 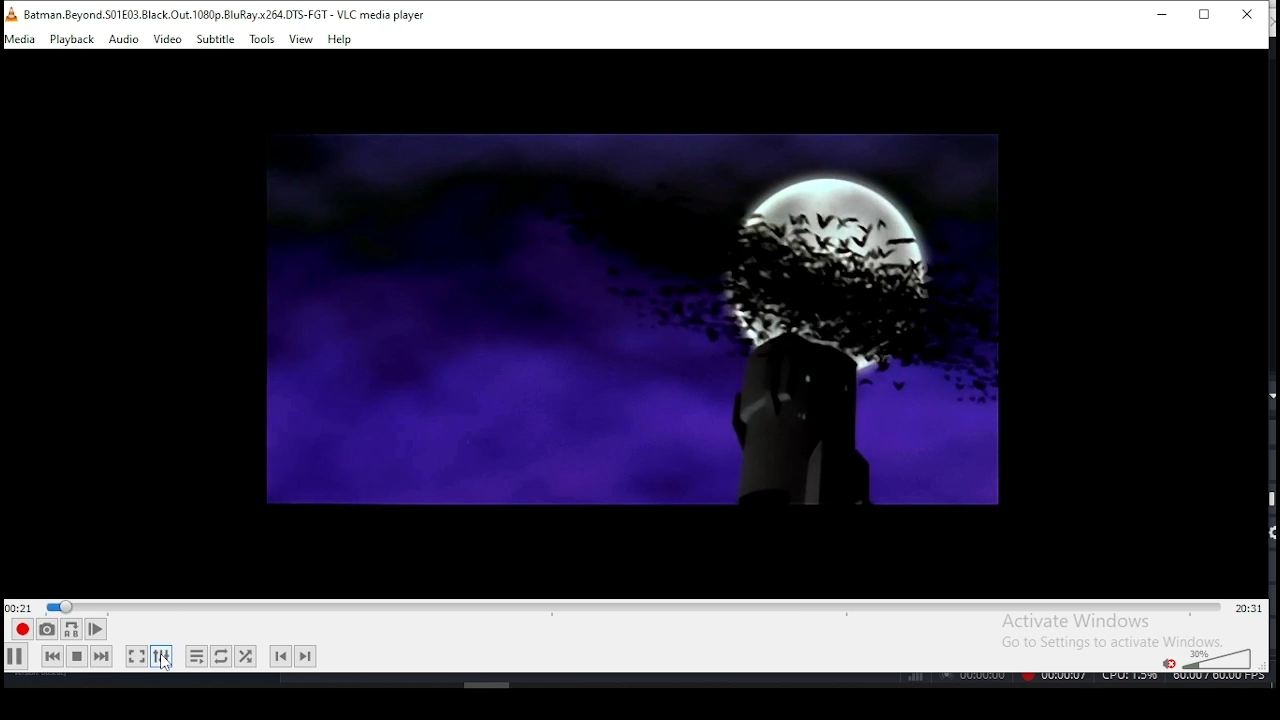 I want to click on audio, so click(x=125, y=40).